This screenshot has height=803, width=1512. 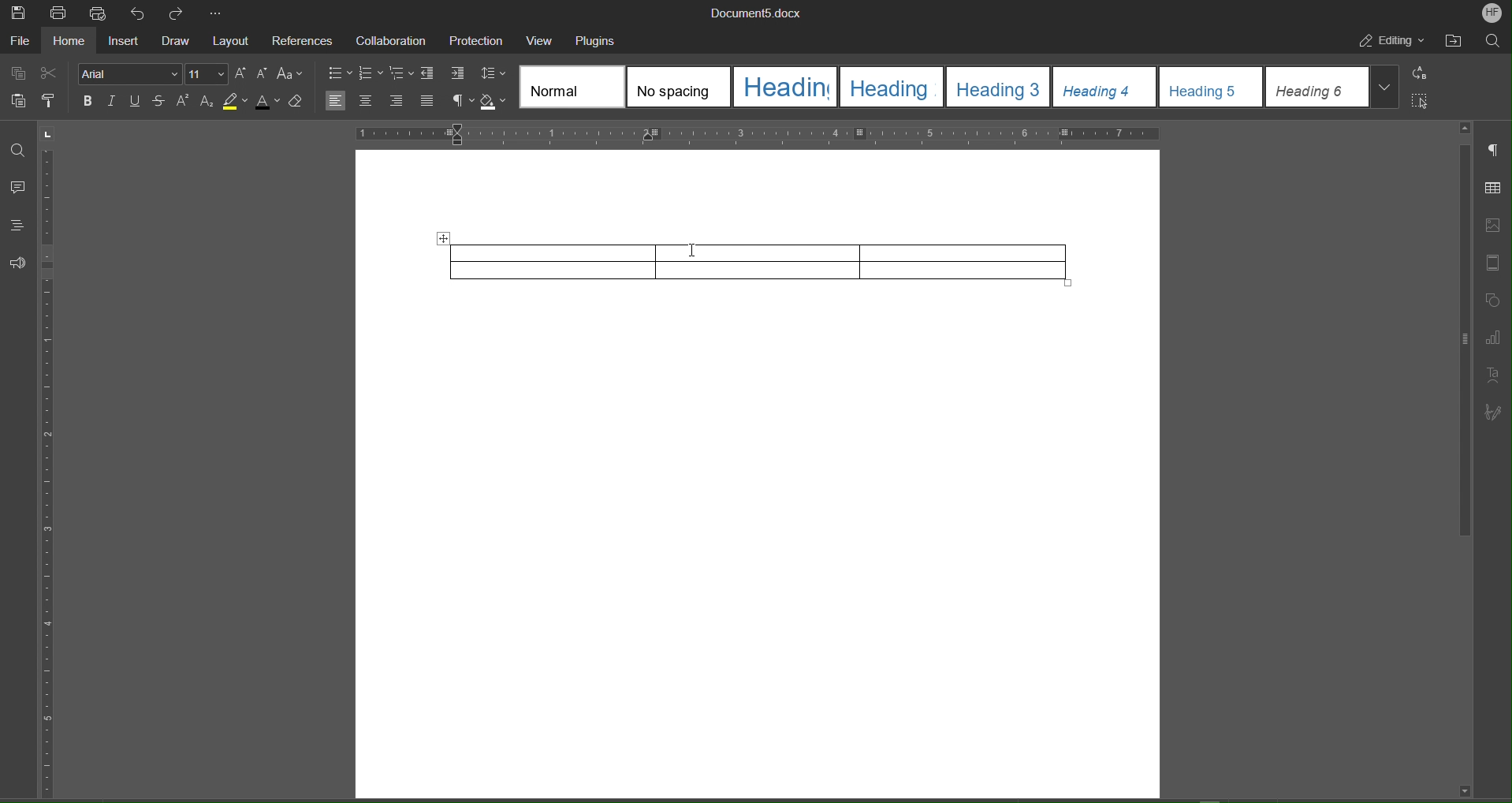 I want to click on Line Spacing, so click(x=493, y=74).